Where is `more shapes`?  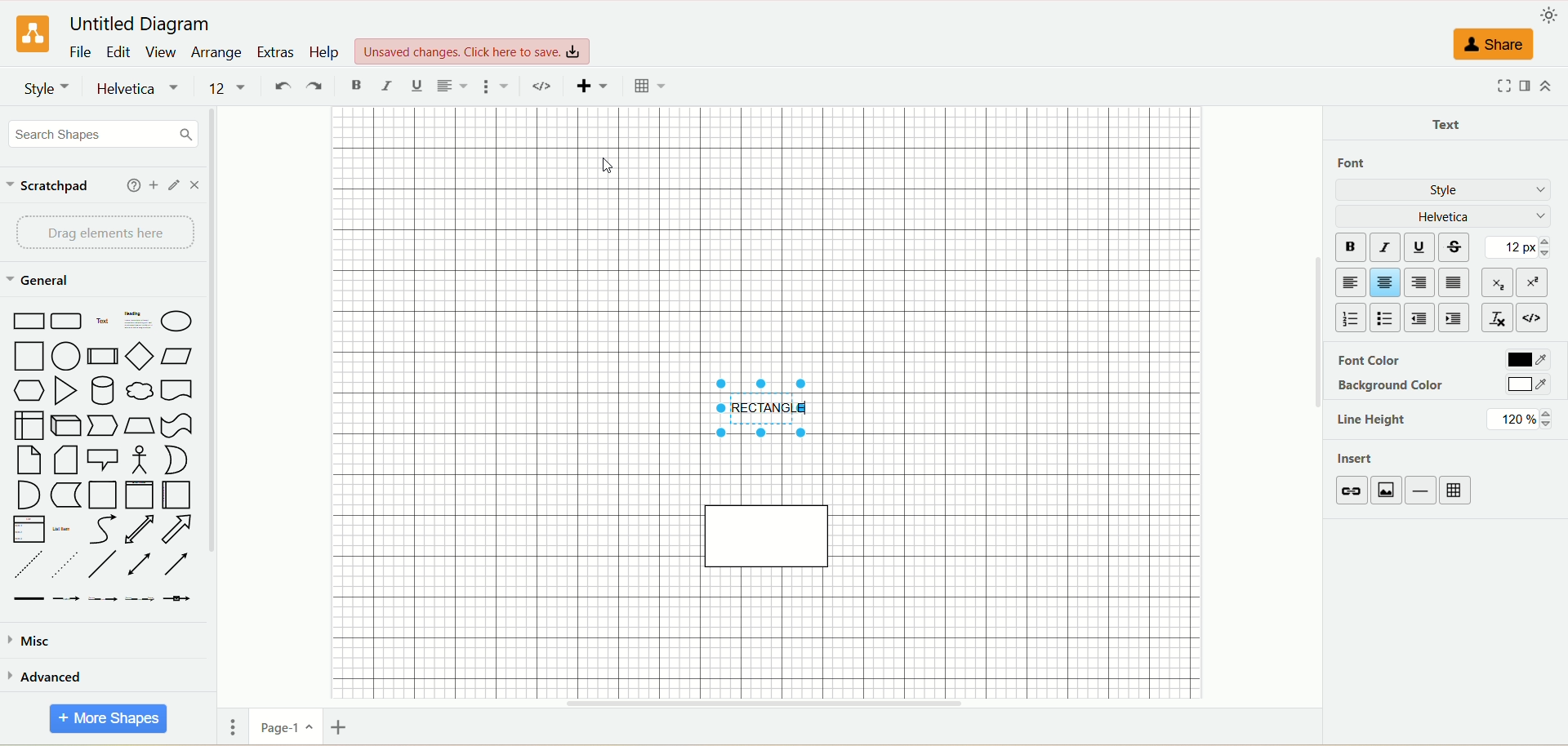 more shapes is located at coordinates (109, 719).